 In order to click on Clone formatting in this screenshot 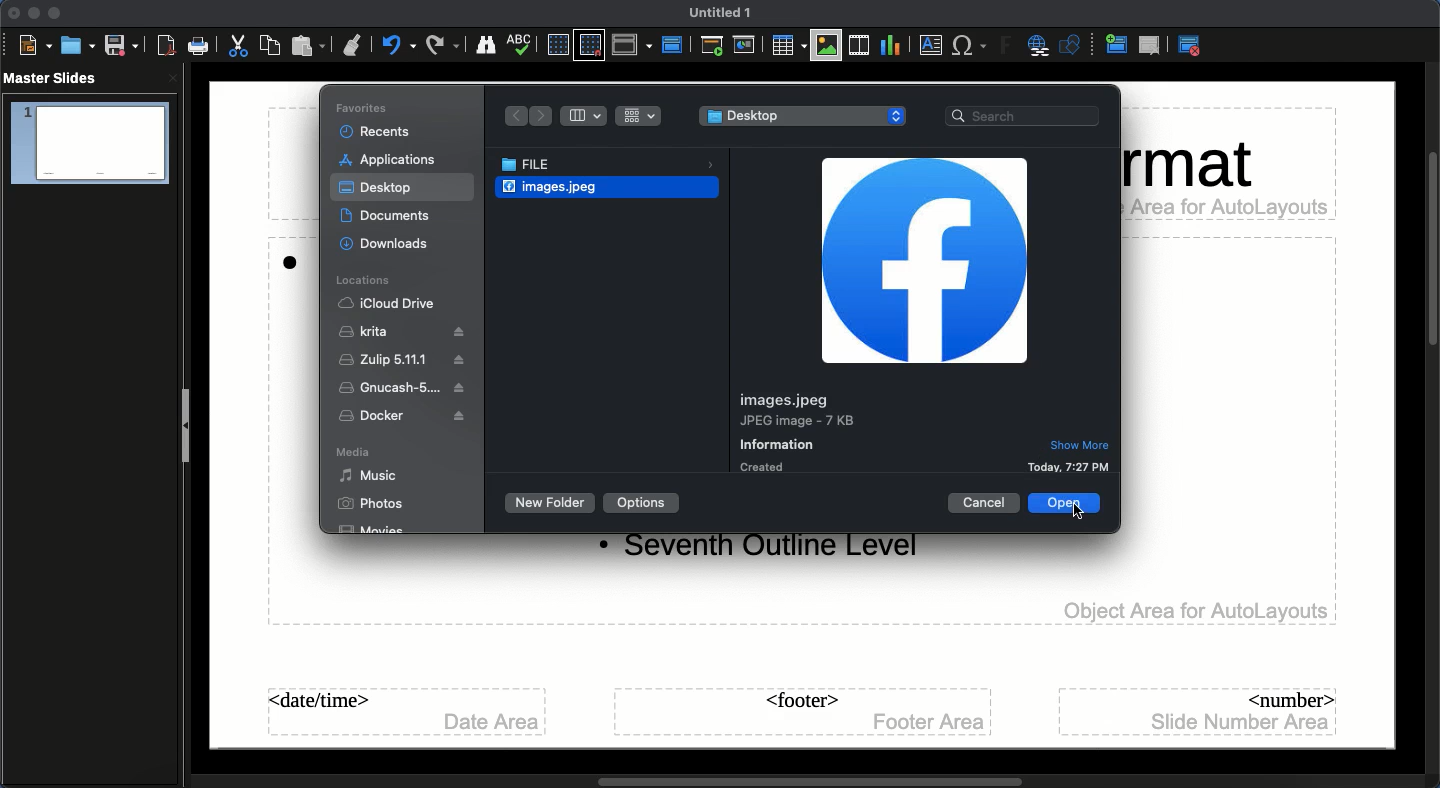, I will do `click(355, 46)`.